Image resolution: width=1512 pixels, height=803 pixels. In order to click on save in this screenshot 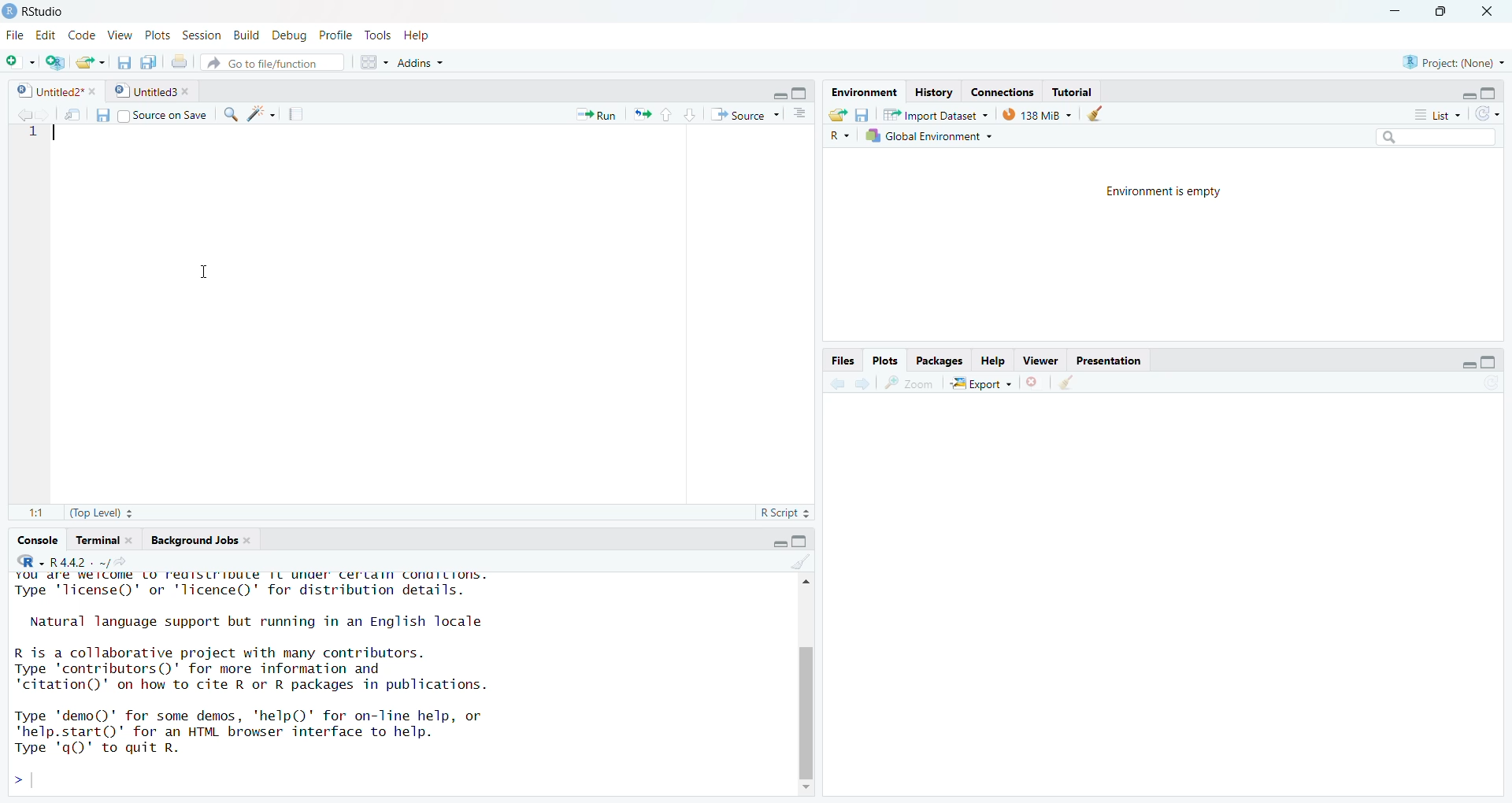, I will do `click(98, 115)`.